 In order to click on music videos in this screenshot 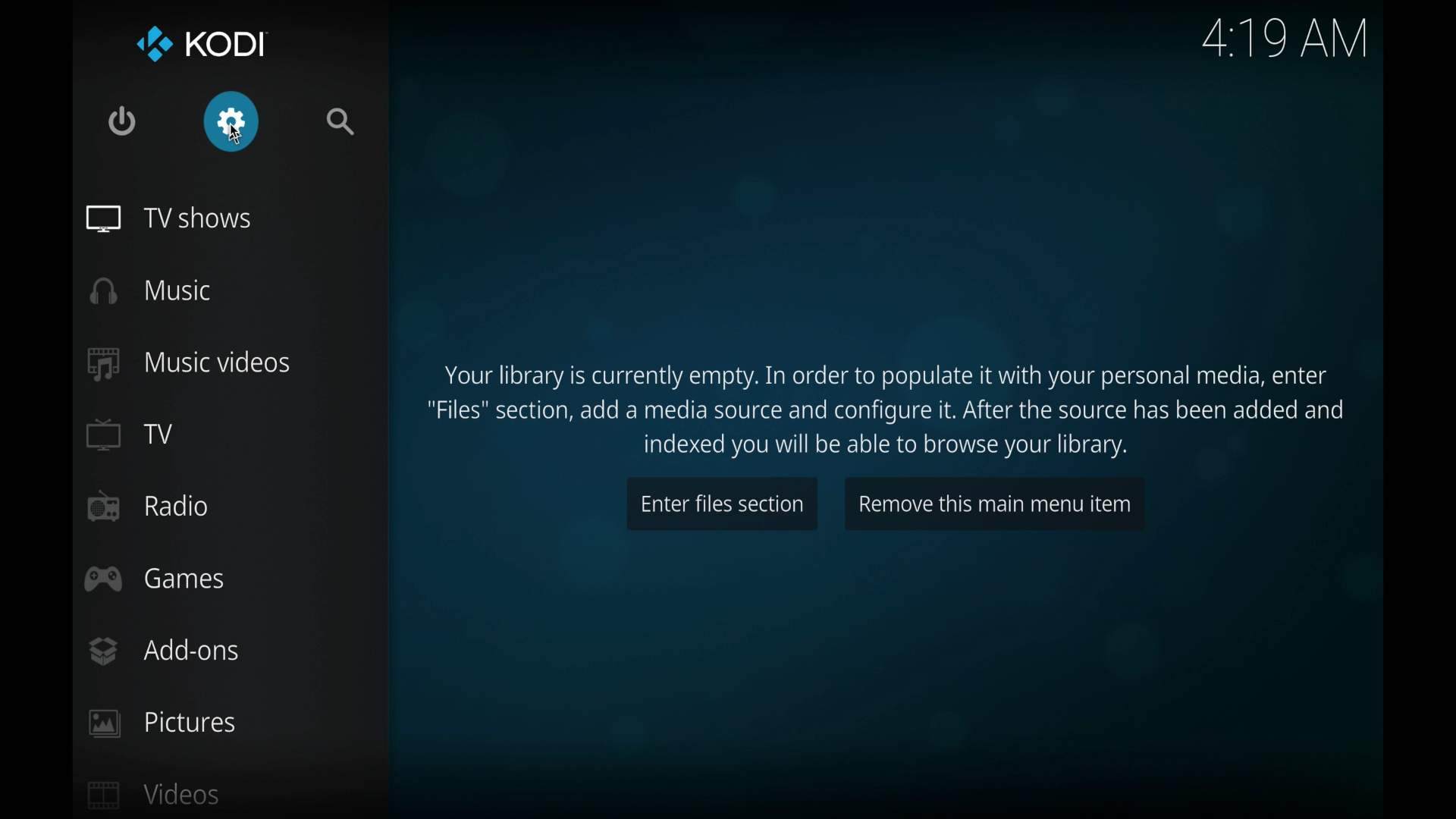, I will do `click(188, 363)`.